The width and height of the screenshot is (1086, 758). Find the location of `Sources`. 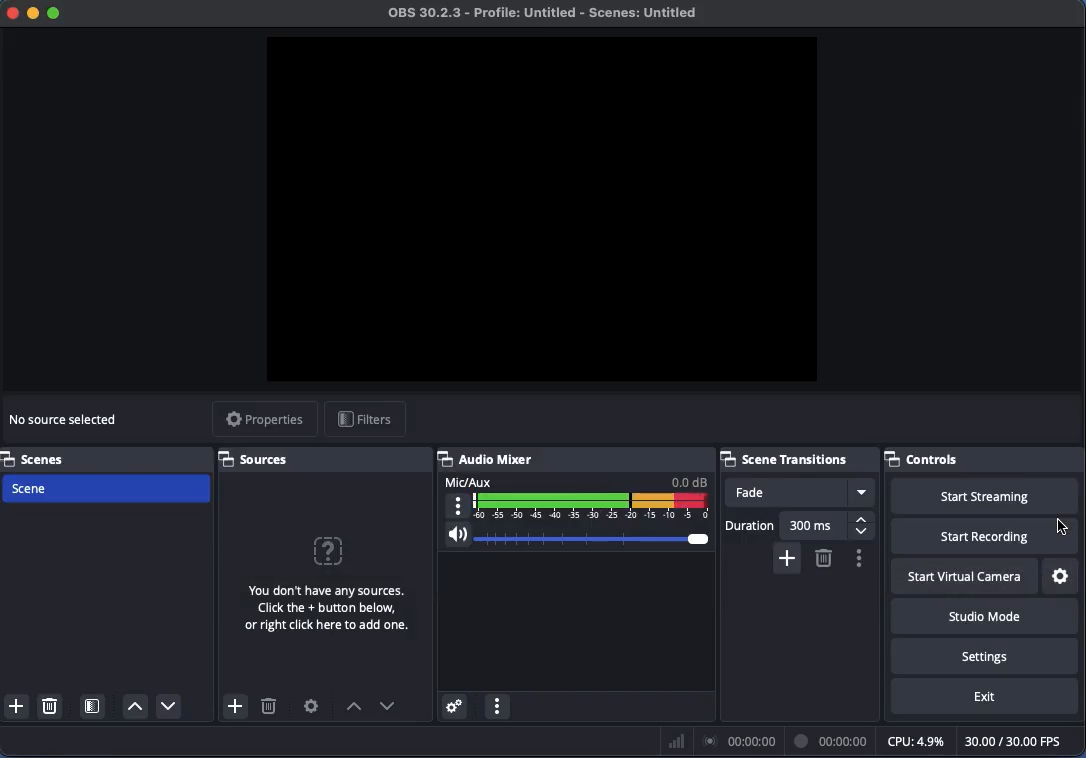

Sources is located at coordinates (259, 459).